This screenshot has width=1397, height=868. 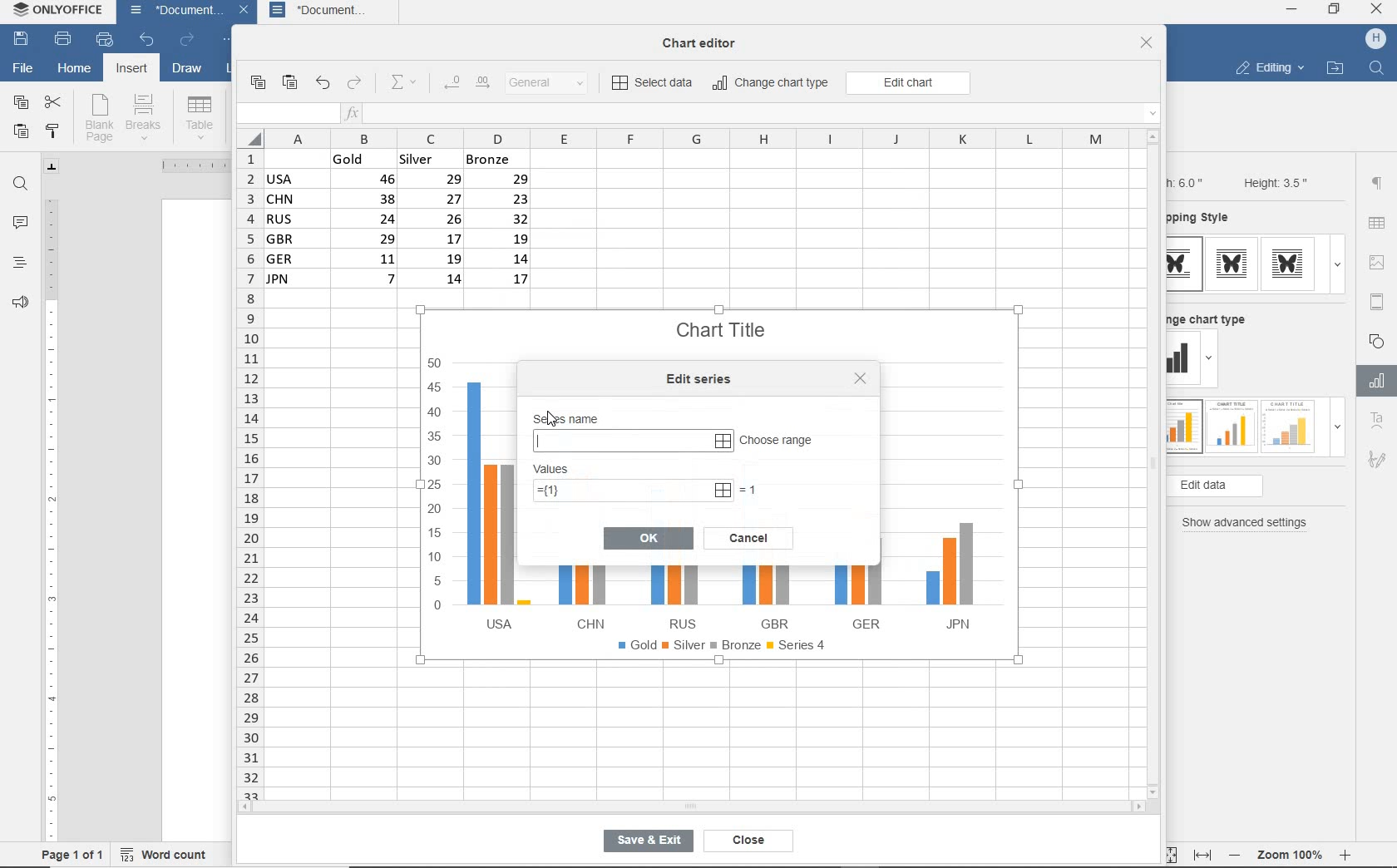 What do you see at coordinates (249, 808) in the screenshot?
I see `scroll left` at bounding box center [249, 808].